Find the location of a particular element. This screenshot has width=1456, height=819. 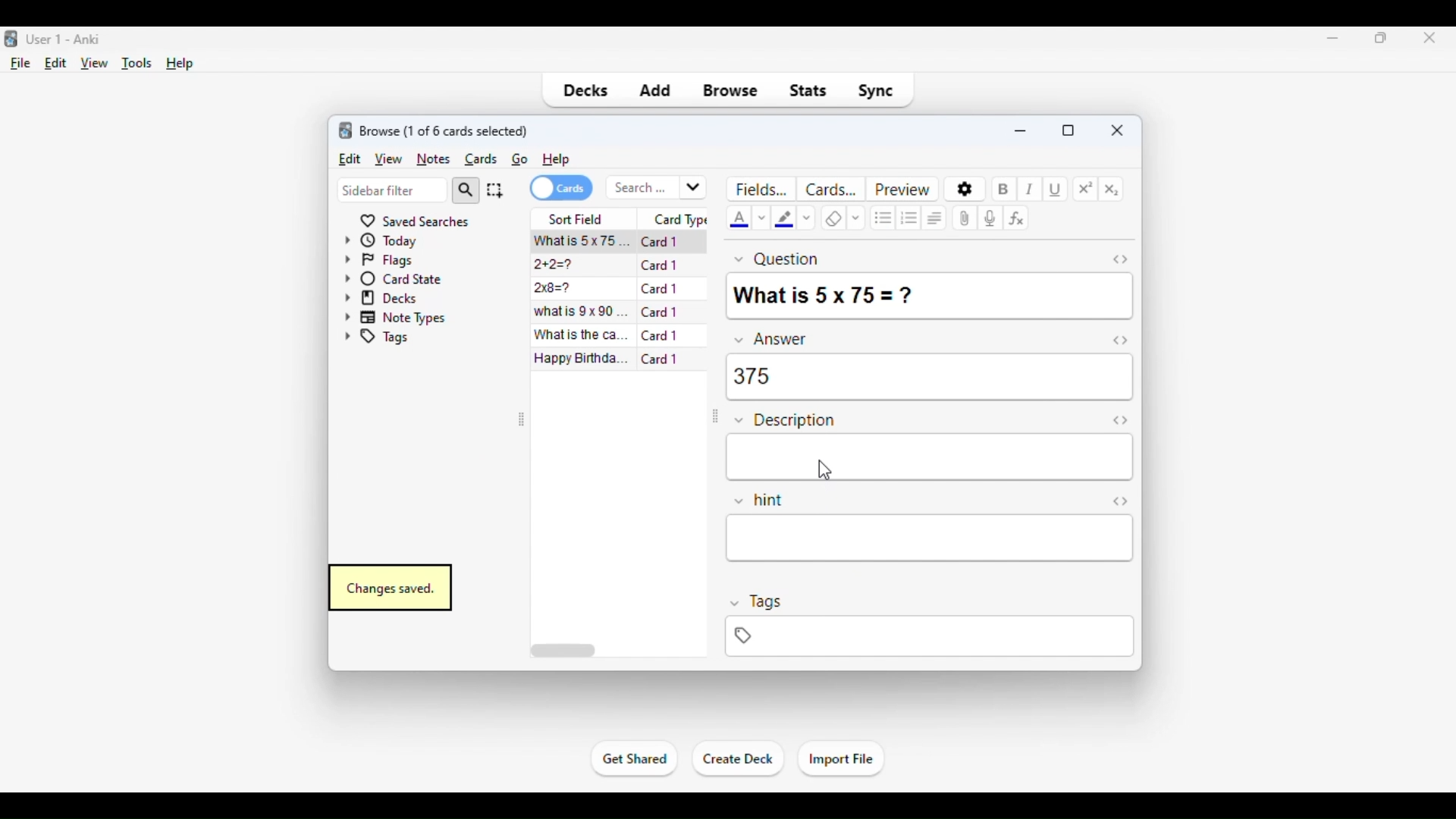

cursor is located at coordinates (827, 470).